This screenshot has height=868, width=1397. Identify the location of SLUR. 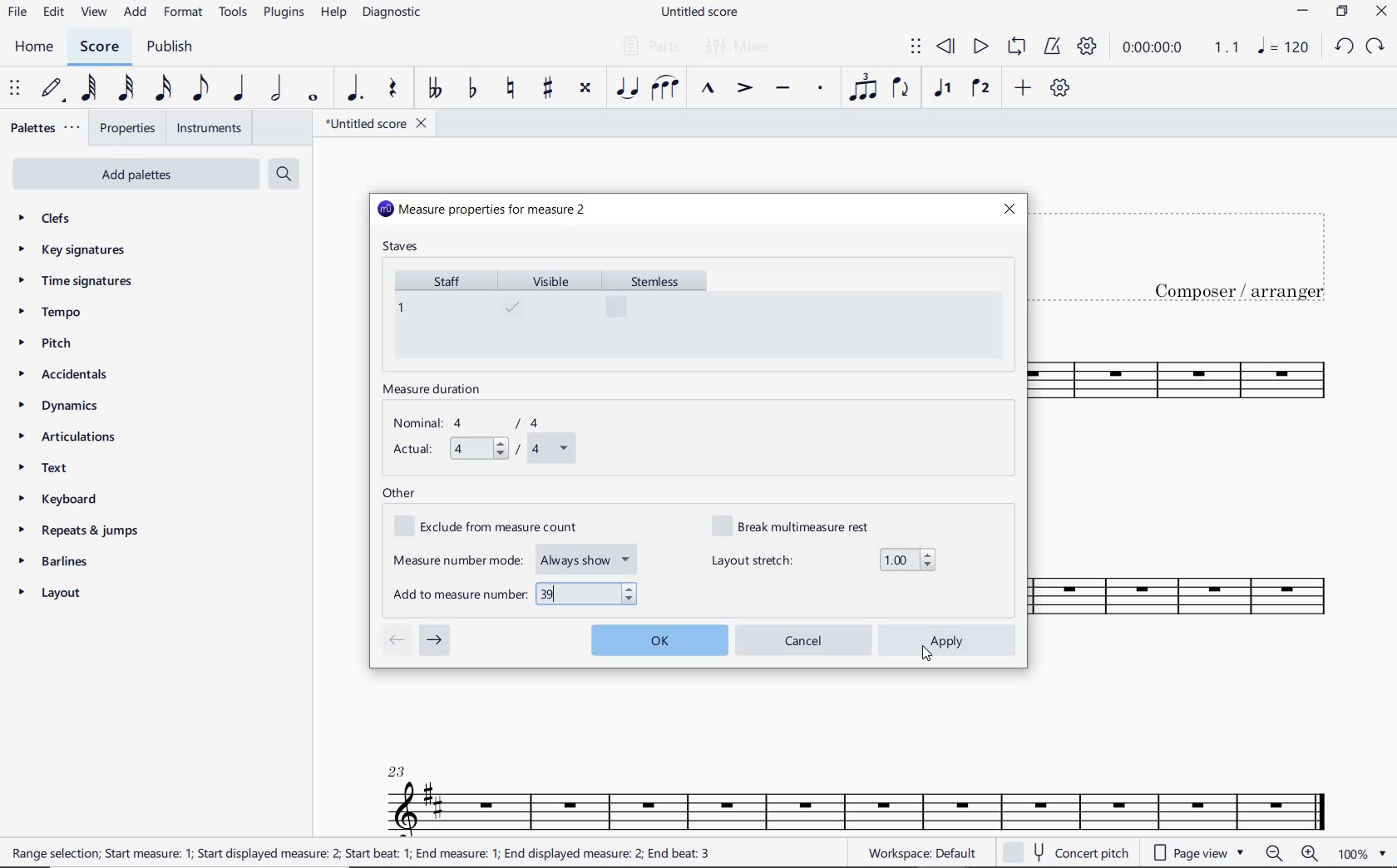
(665, 90).